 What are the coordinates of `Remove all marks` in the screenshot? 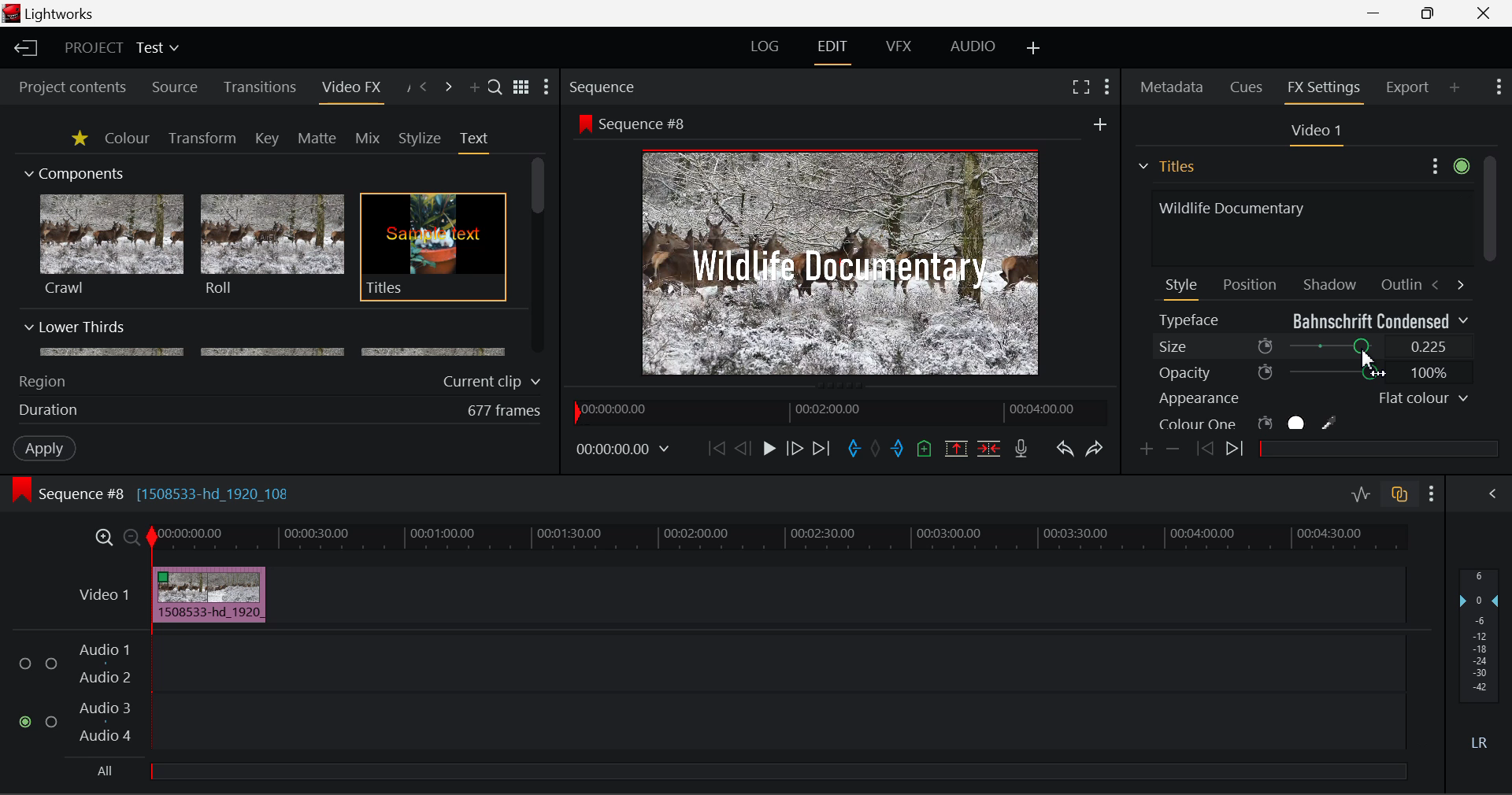 It's located at (877, 450).